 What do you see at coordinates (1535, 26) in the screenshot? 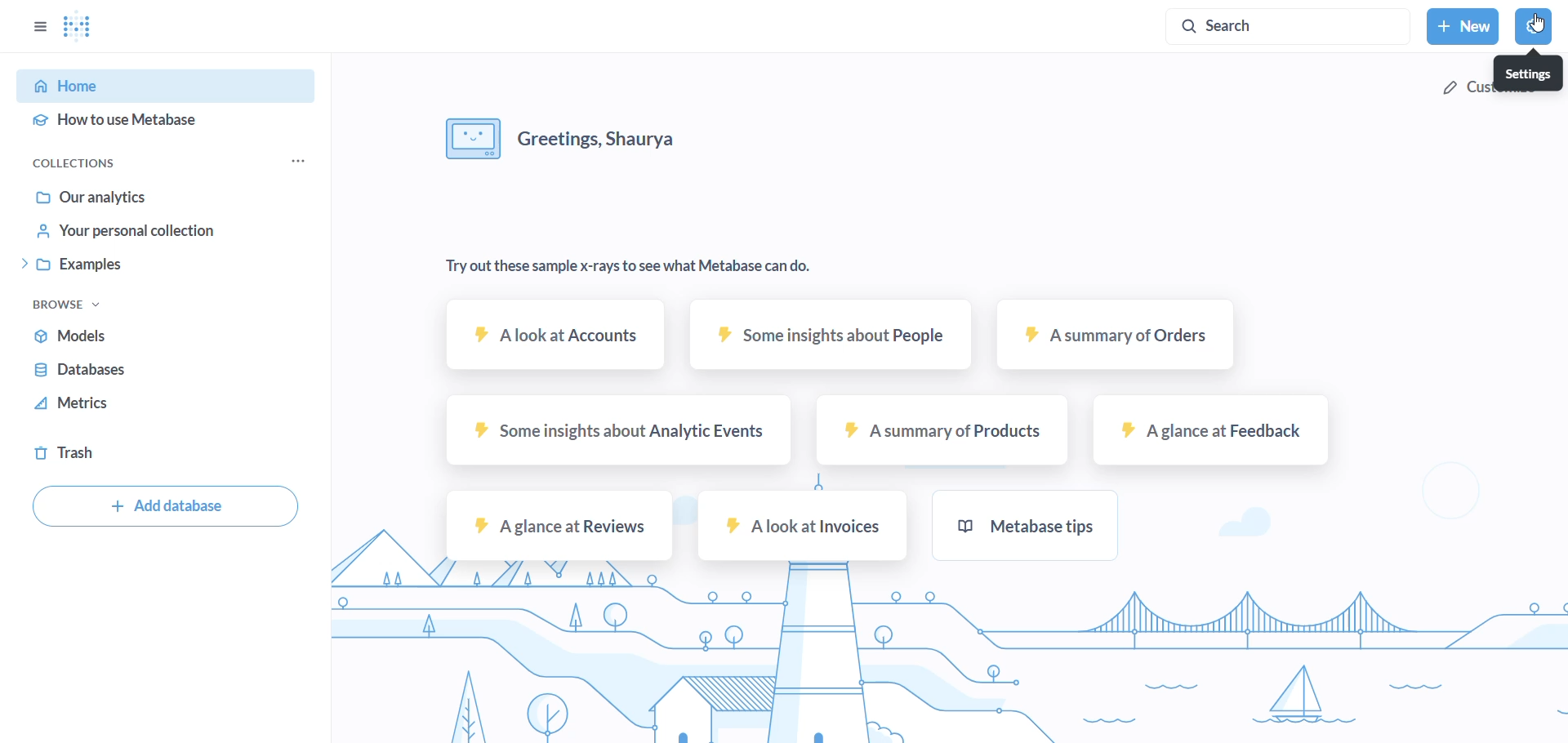
I see `cursor` at bounding box center [1535, 26].